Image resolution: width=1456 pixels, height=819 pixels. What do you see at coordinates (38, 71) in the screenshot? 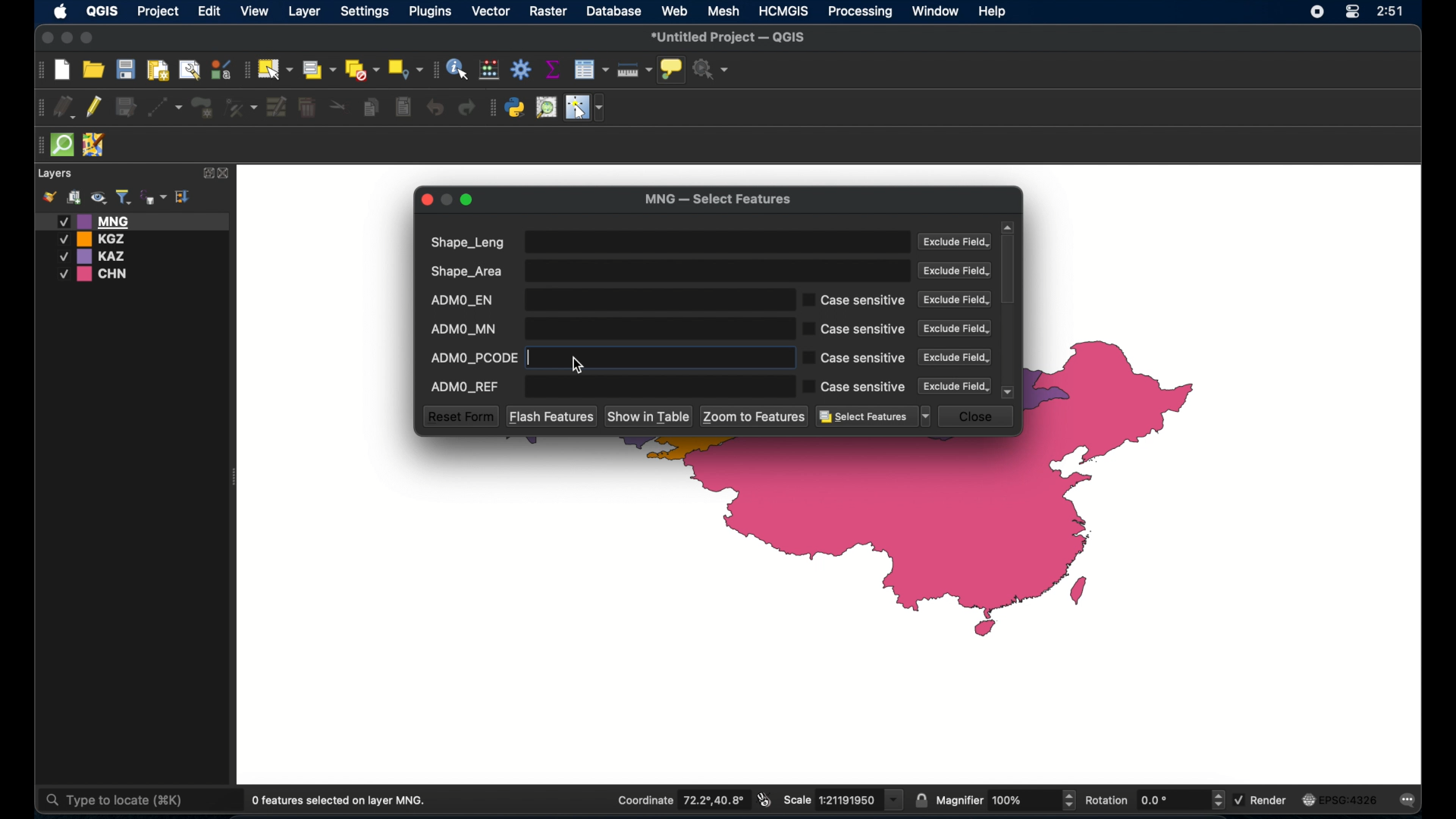
I see `project toolbar` at bounding box center [38, 71].